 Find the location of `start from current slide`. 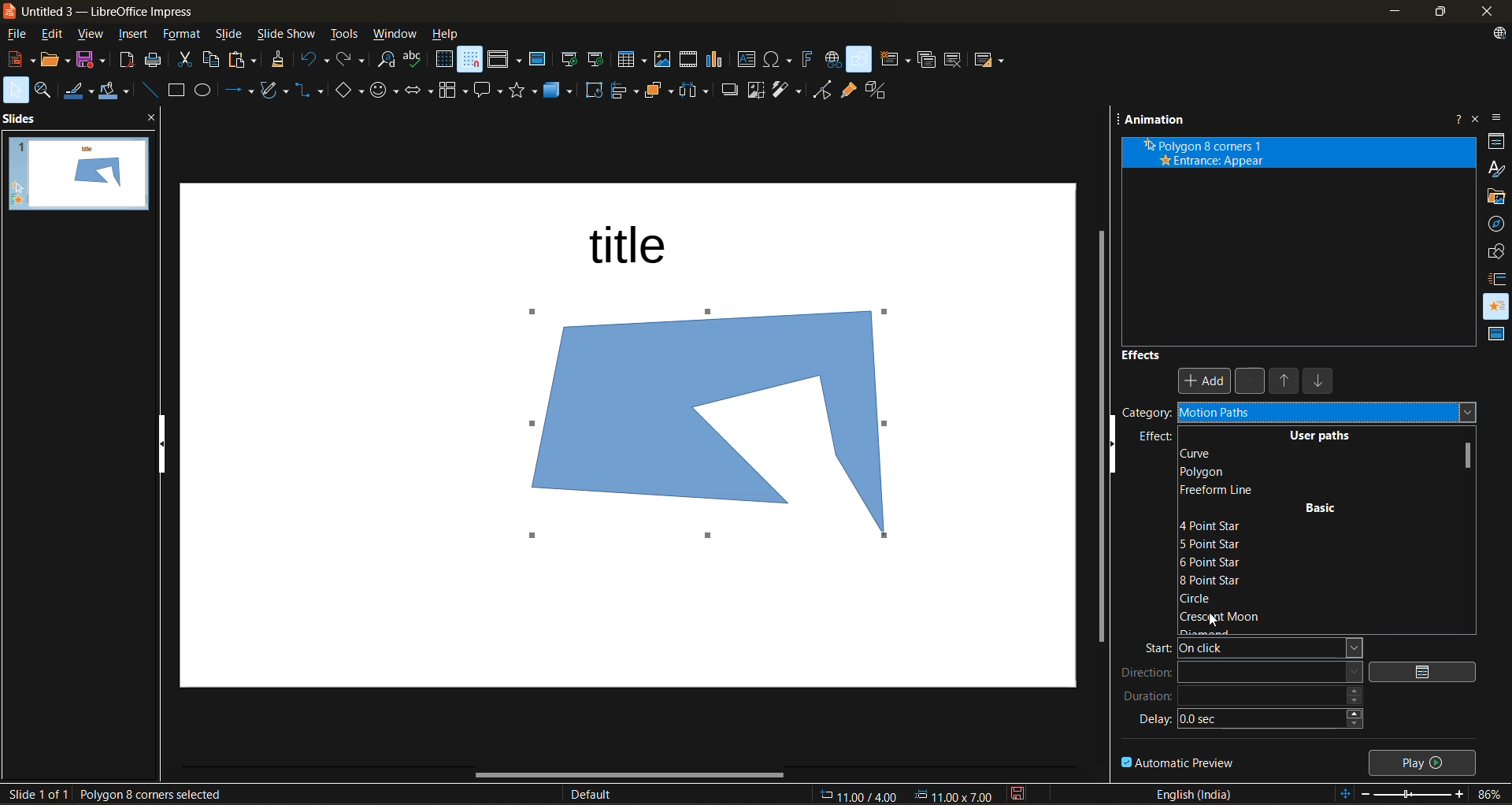

start from current slide is located at coordinates (598, 61).